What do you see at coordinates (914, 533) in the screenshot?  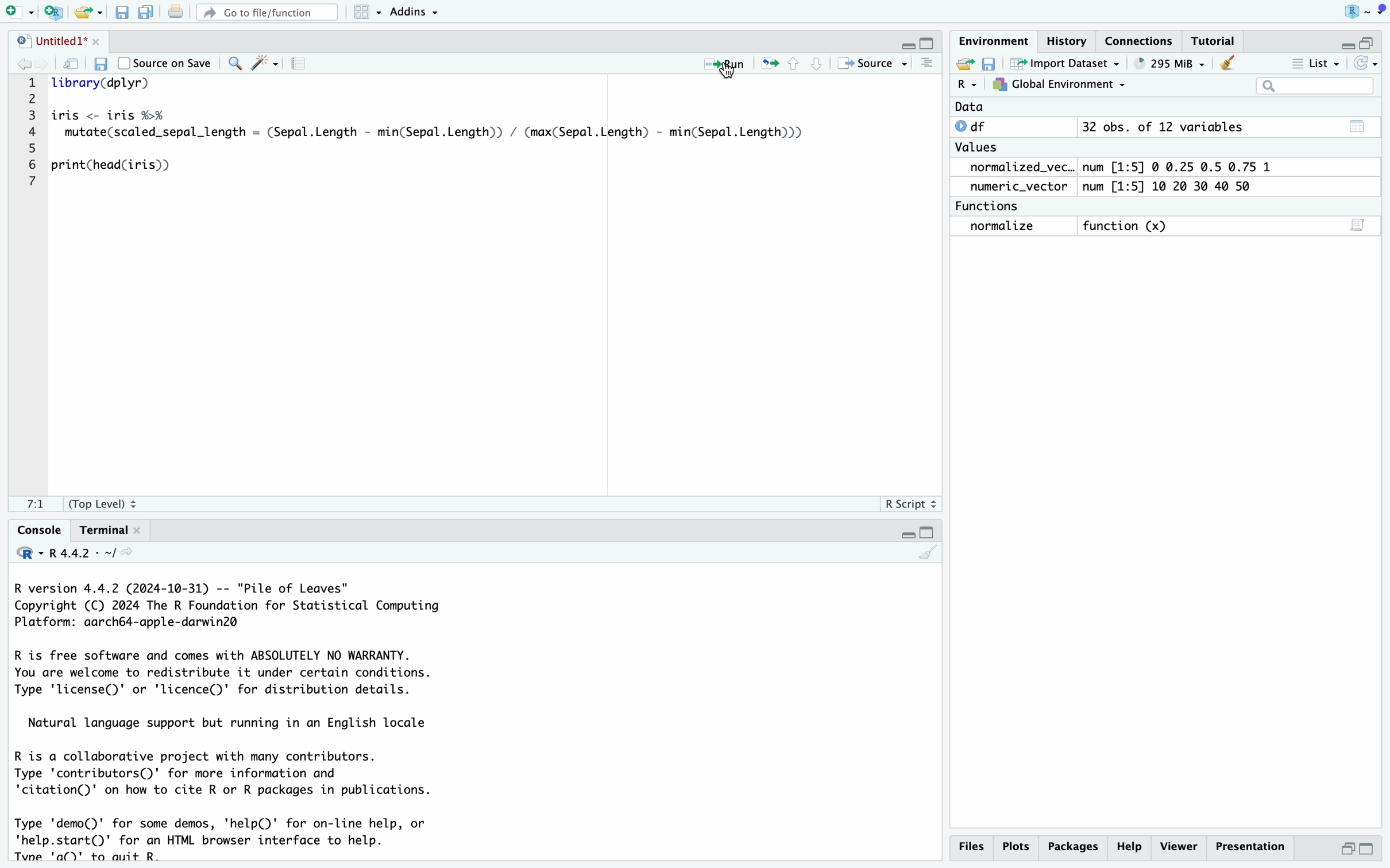 I see `Fullscreen` at bounding box center [914, 533].